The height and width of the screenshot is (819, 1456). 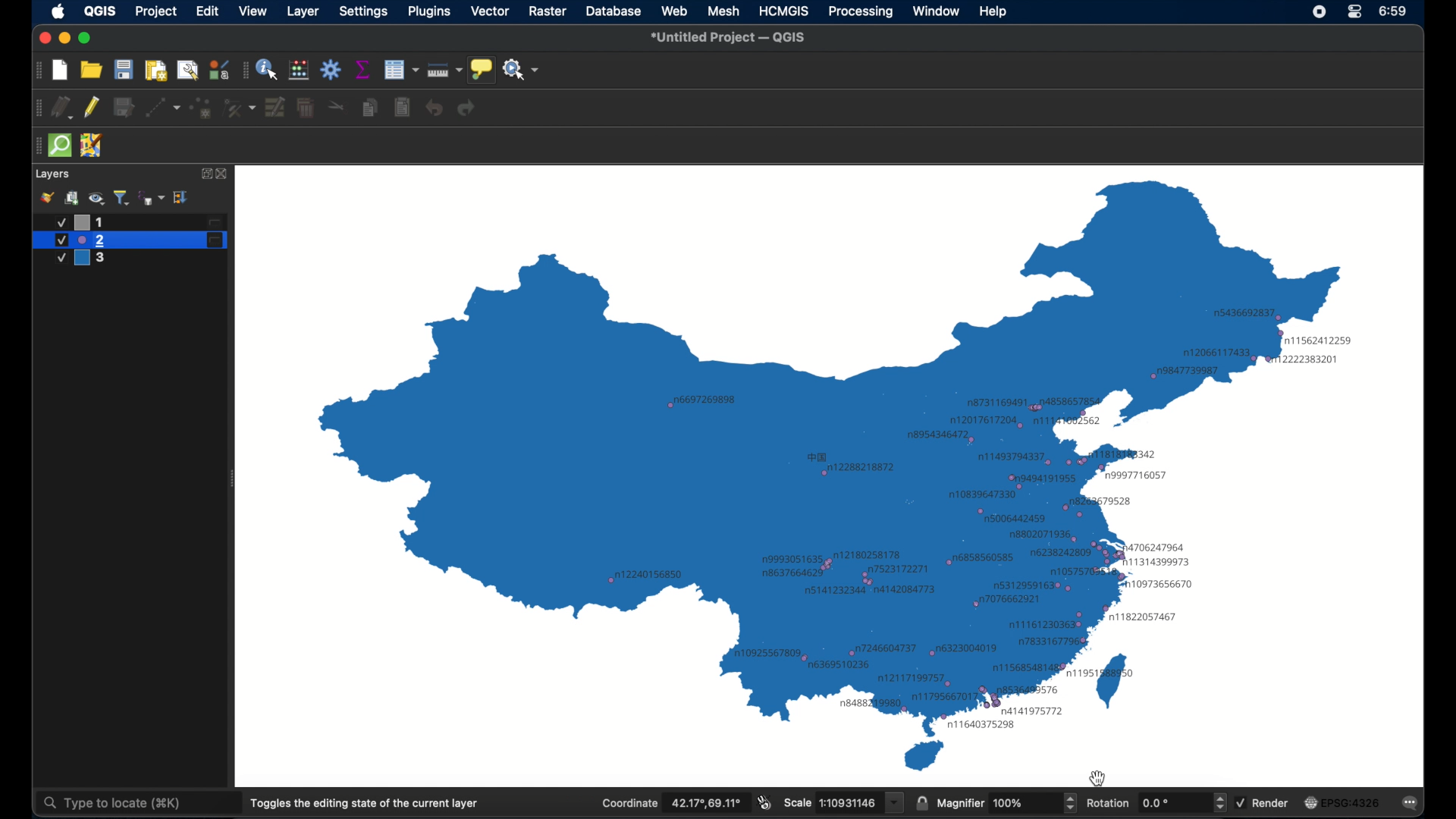 What do you see at coordinates (445, 70) in the screenshot?
I see `measure line` at bounding box center [445, 70].